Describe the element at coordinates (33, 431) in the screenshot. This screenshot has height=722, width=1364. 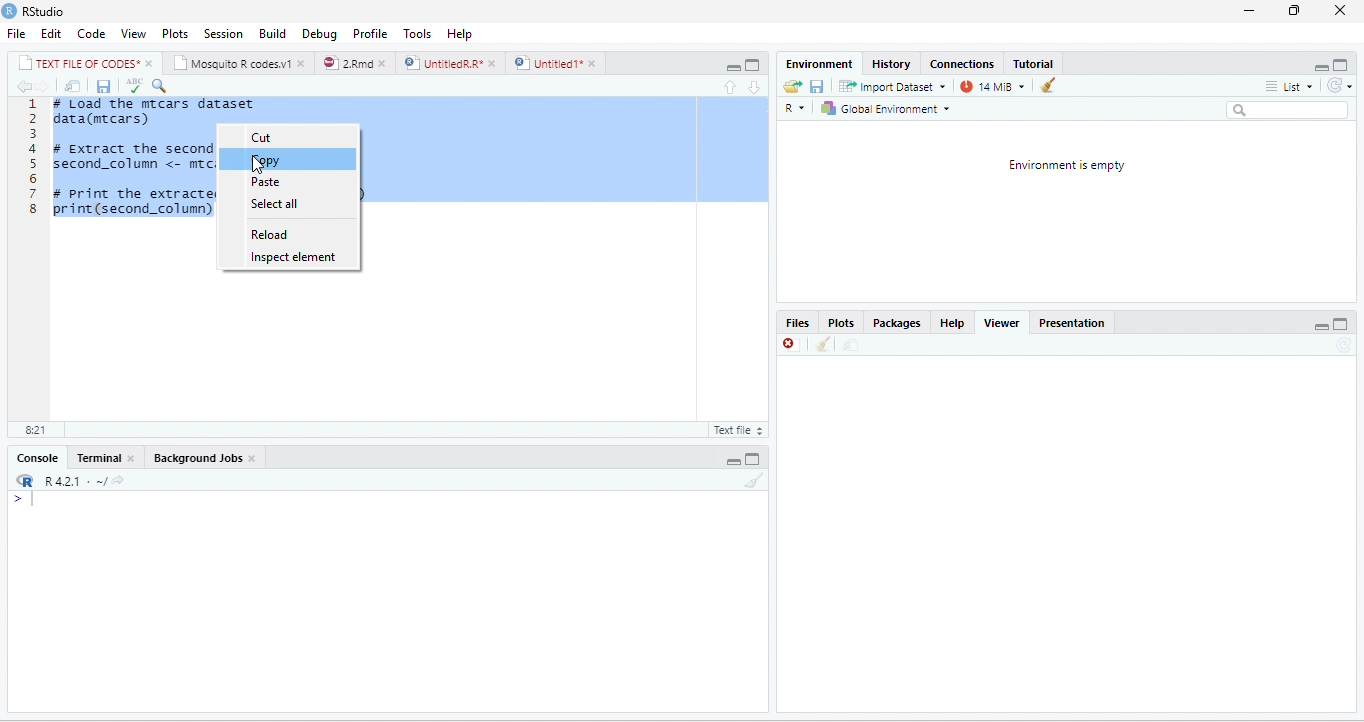
I see `8:21` at that location.